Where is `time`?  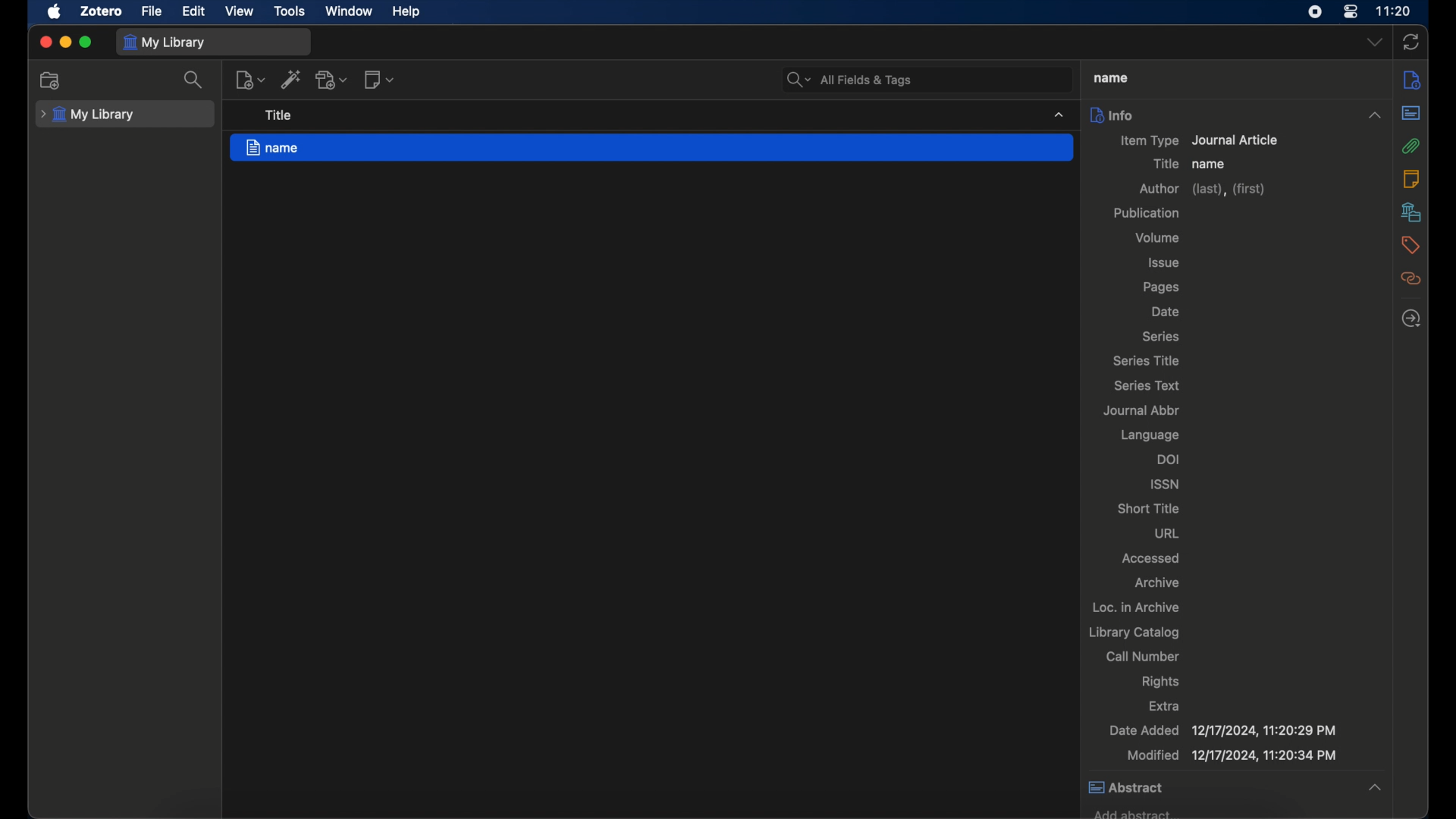
time is located at coordinates (1395, 11).